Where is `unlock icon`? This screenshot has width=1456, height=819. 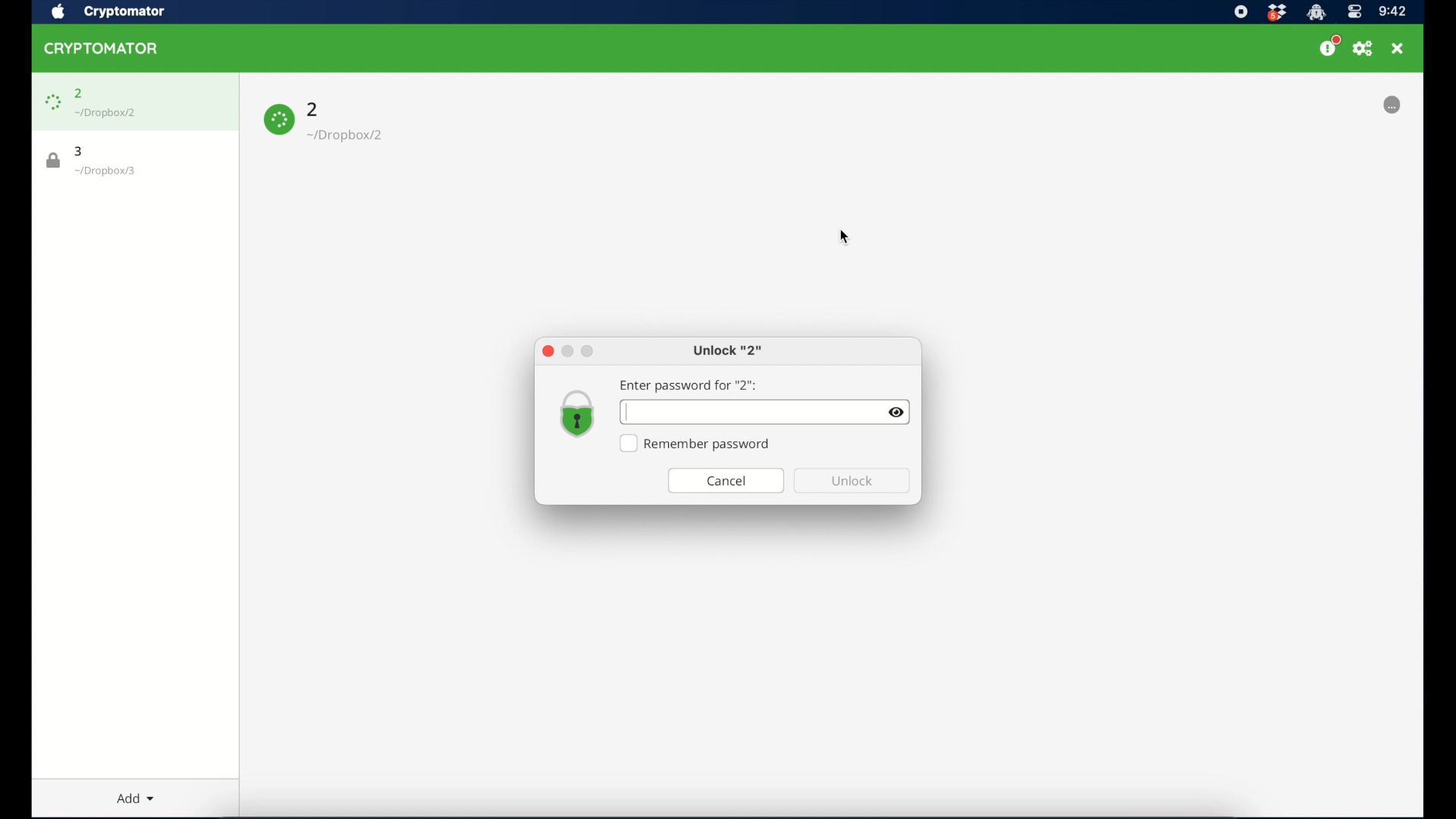
unlock icon is located at coordinates (578, 415).